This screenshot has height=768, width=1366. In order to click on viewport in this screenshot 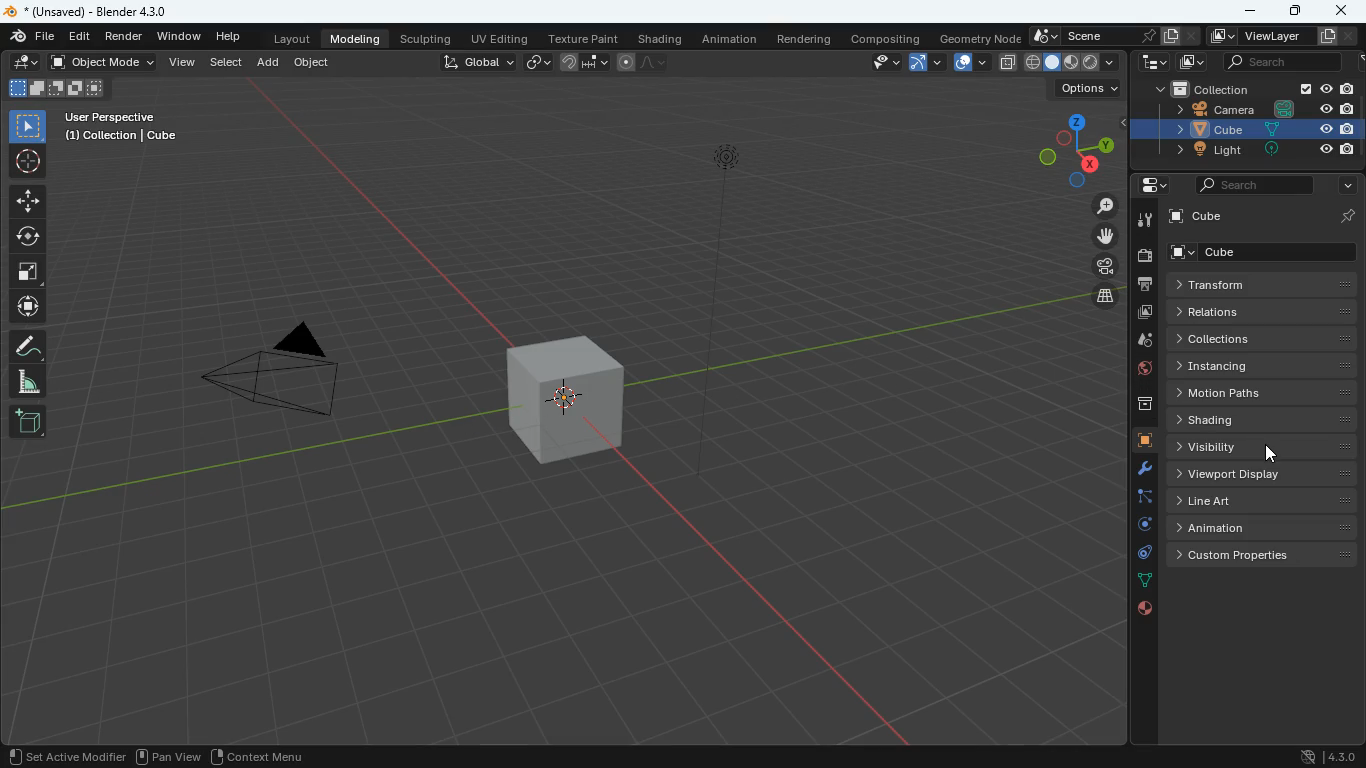, I will do `click(1263, 473)`.